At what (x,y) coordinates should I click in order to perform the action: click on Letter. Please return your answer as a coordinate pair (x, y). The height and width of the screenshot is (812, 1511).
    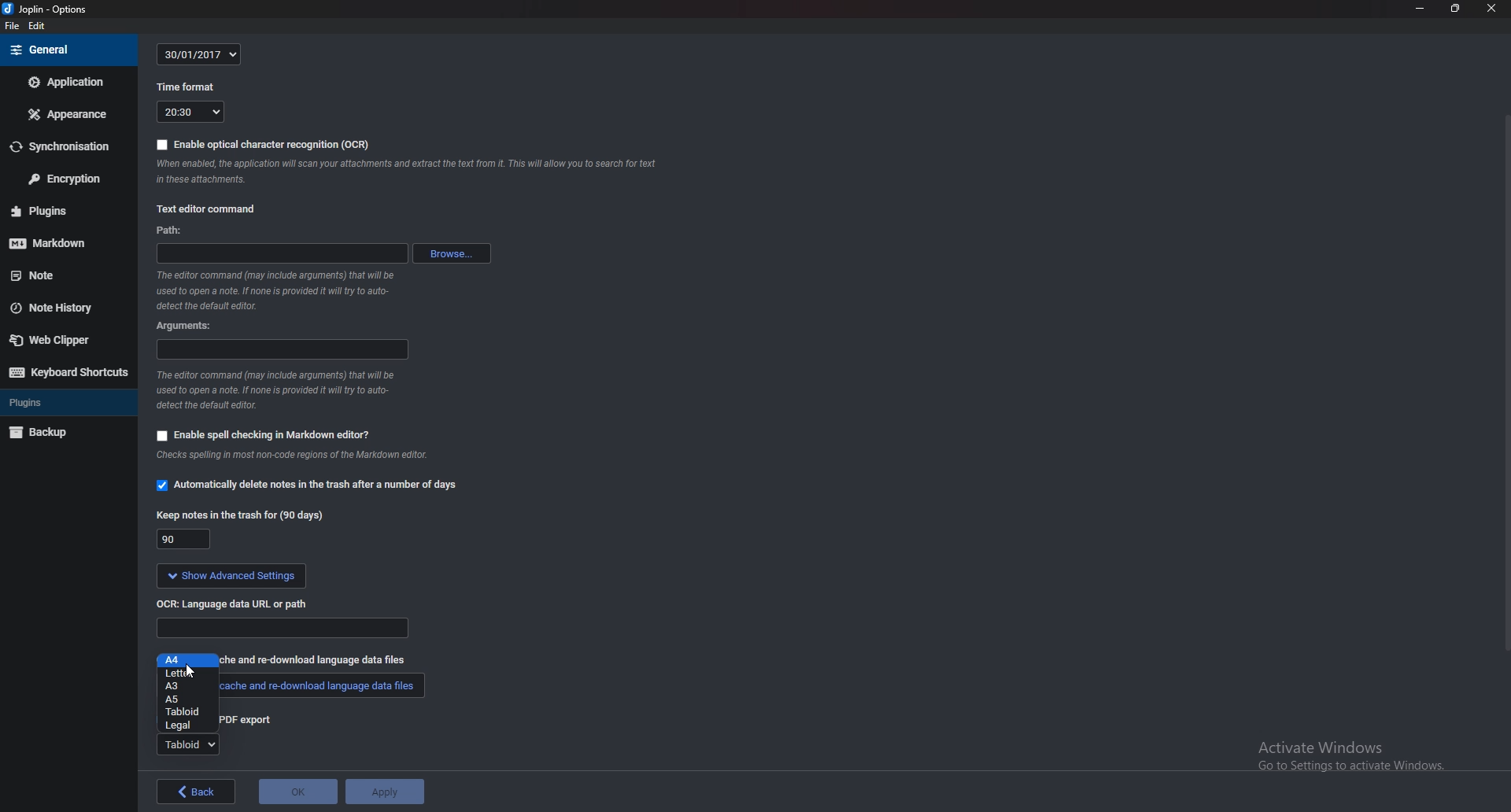
    Looking at the image, I should click on (185, 674).